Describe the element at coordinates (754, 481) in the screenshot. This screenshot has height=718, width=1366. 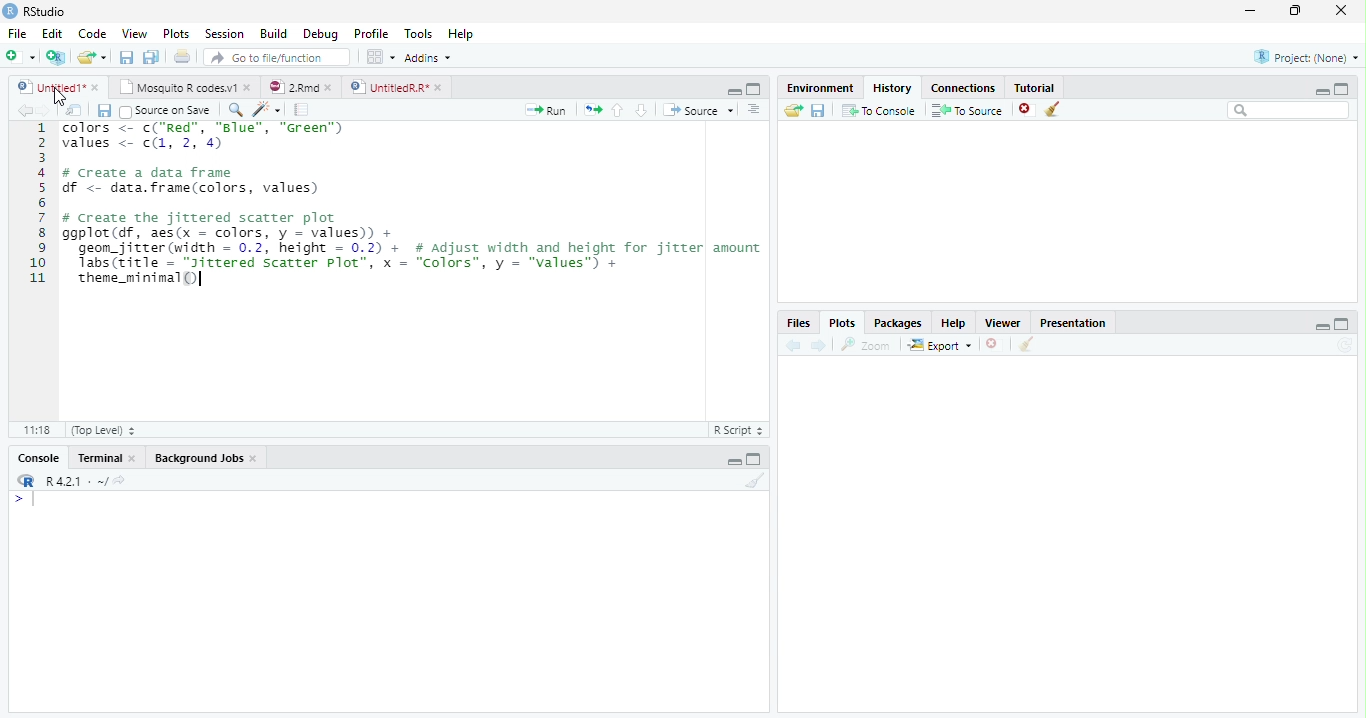
I see `Clear console` at that location.